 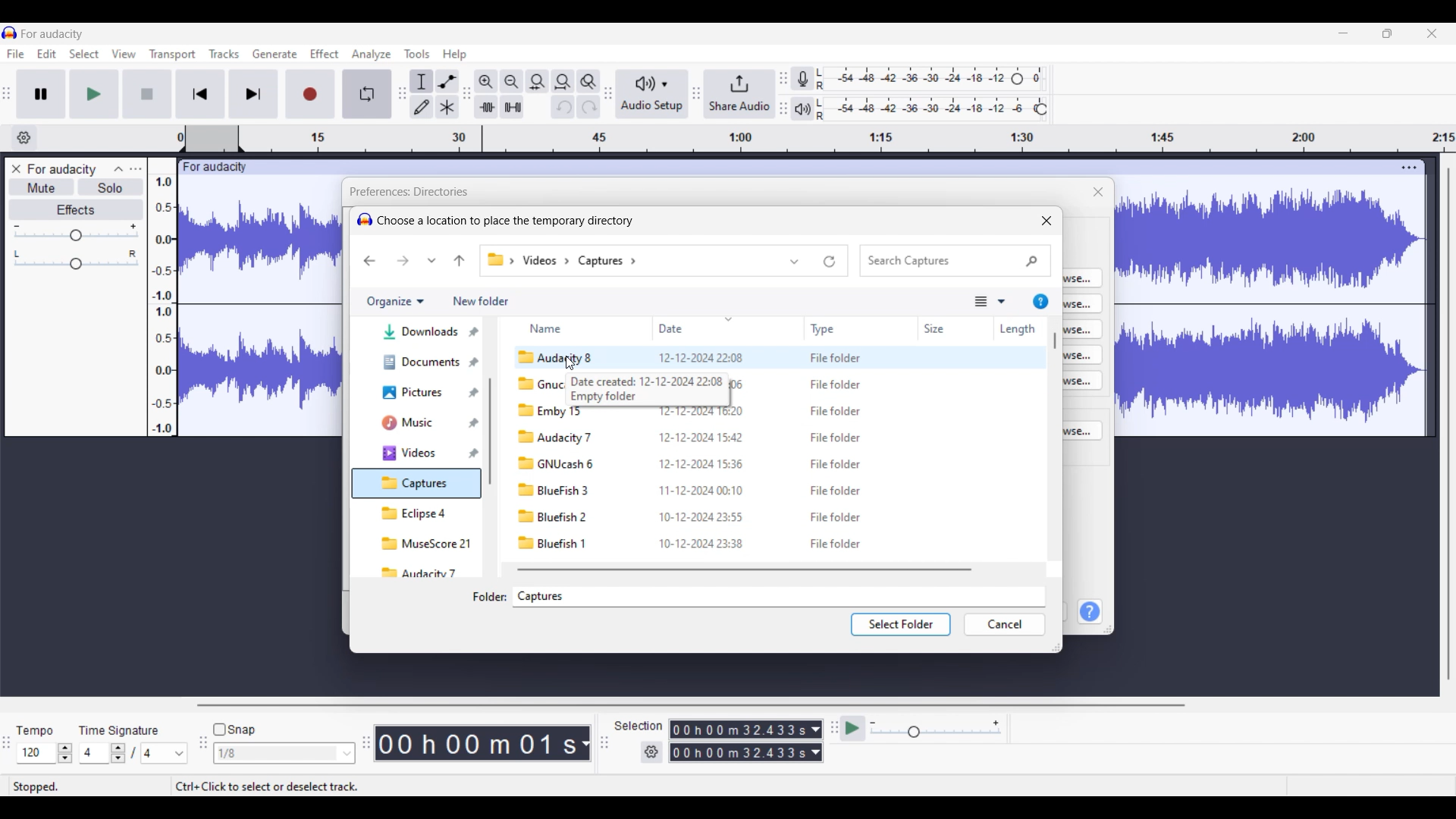 I want to click on Record meter, so click(x=802, y=78).